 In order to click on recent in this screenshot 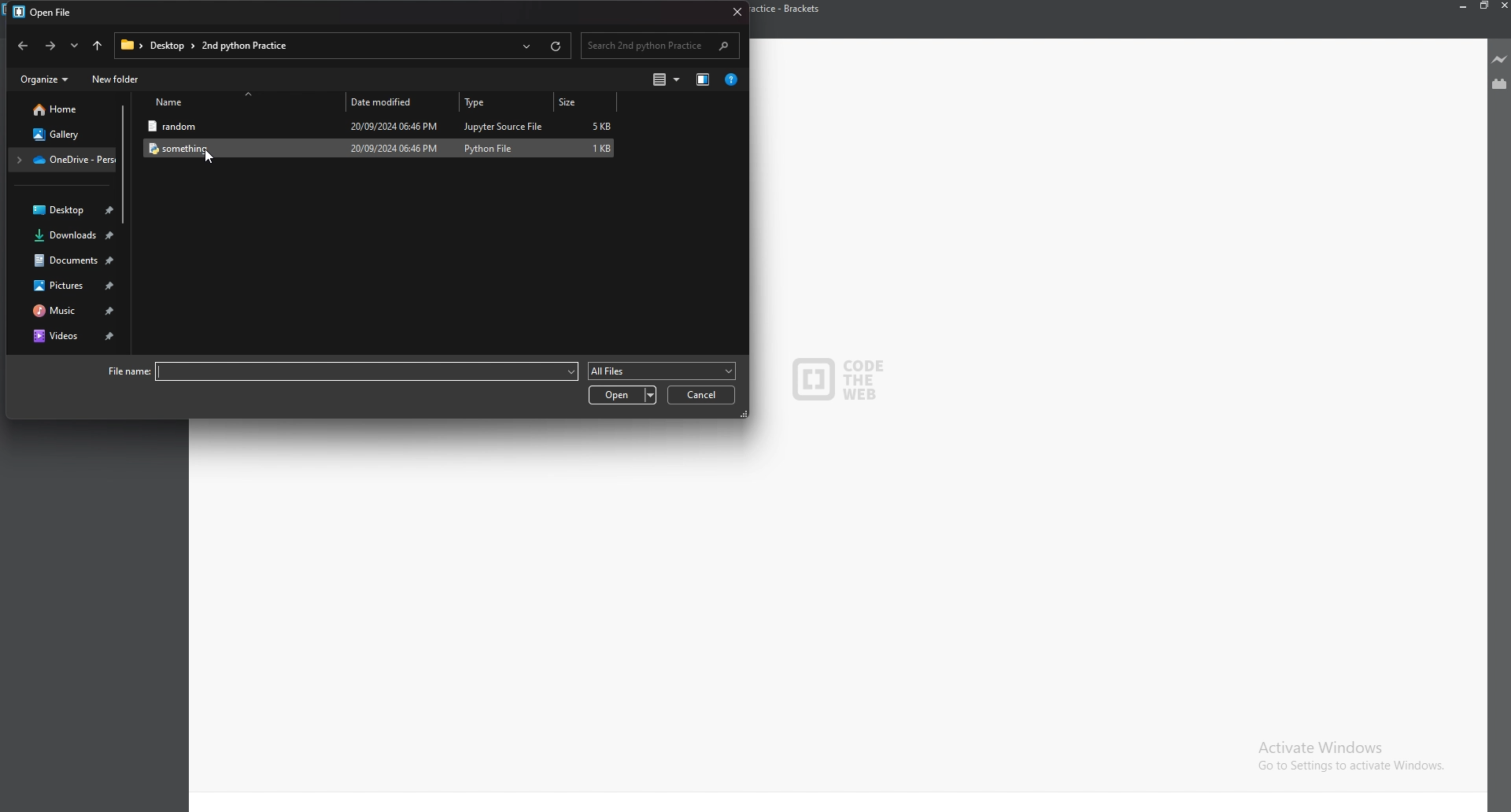, I will do `click(73, 45)`.